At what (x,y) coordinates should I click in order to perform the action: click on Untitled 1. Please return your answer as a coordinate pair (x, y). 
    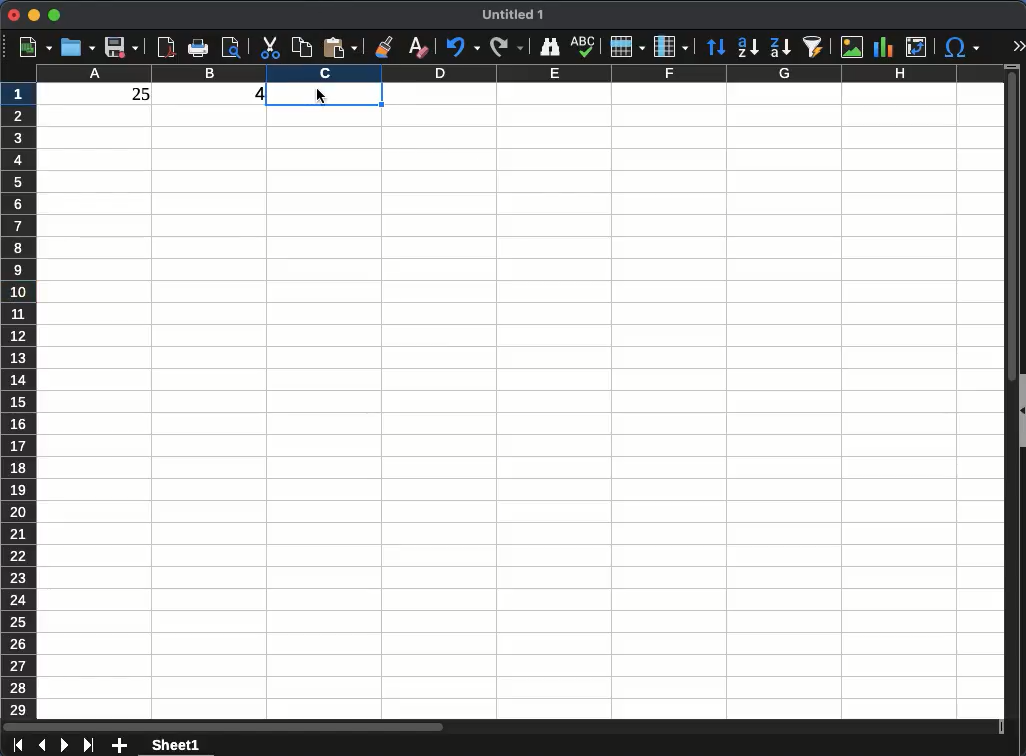
    Looking at the image, I should click on (515, 15).